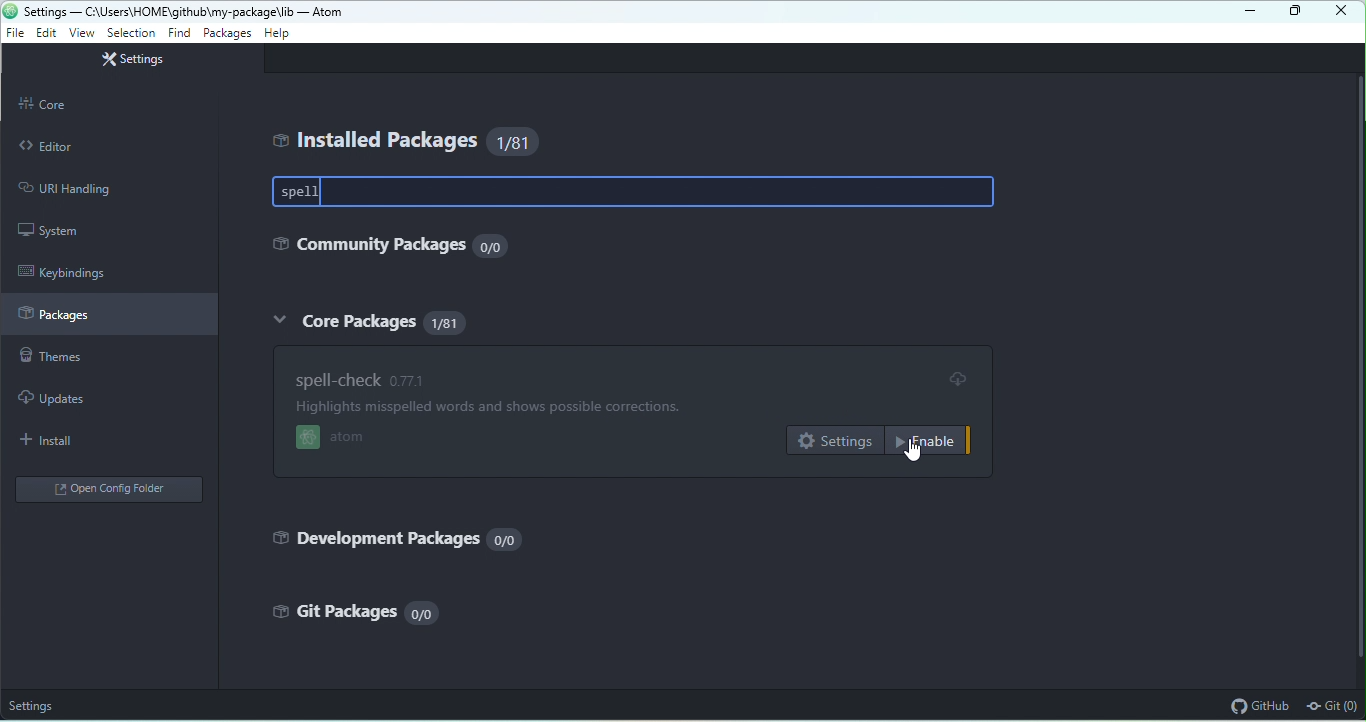  I want to click on edit, so click(46, 32).